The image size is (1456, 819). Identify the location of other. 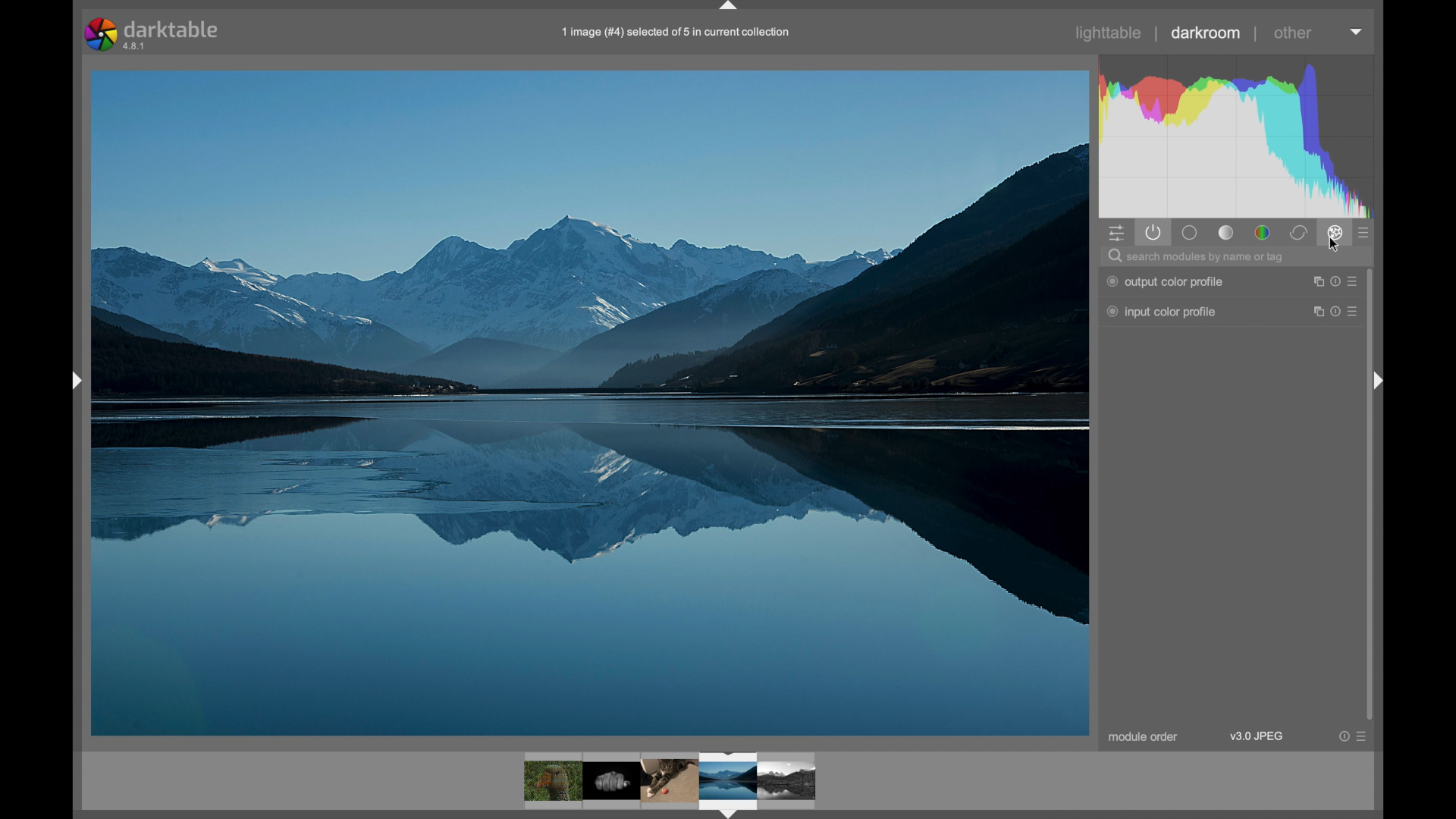
(1295, 33).